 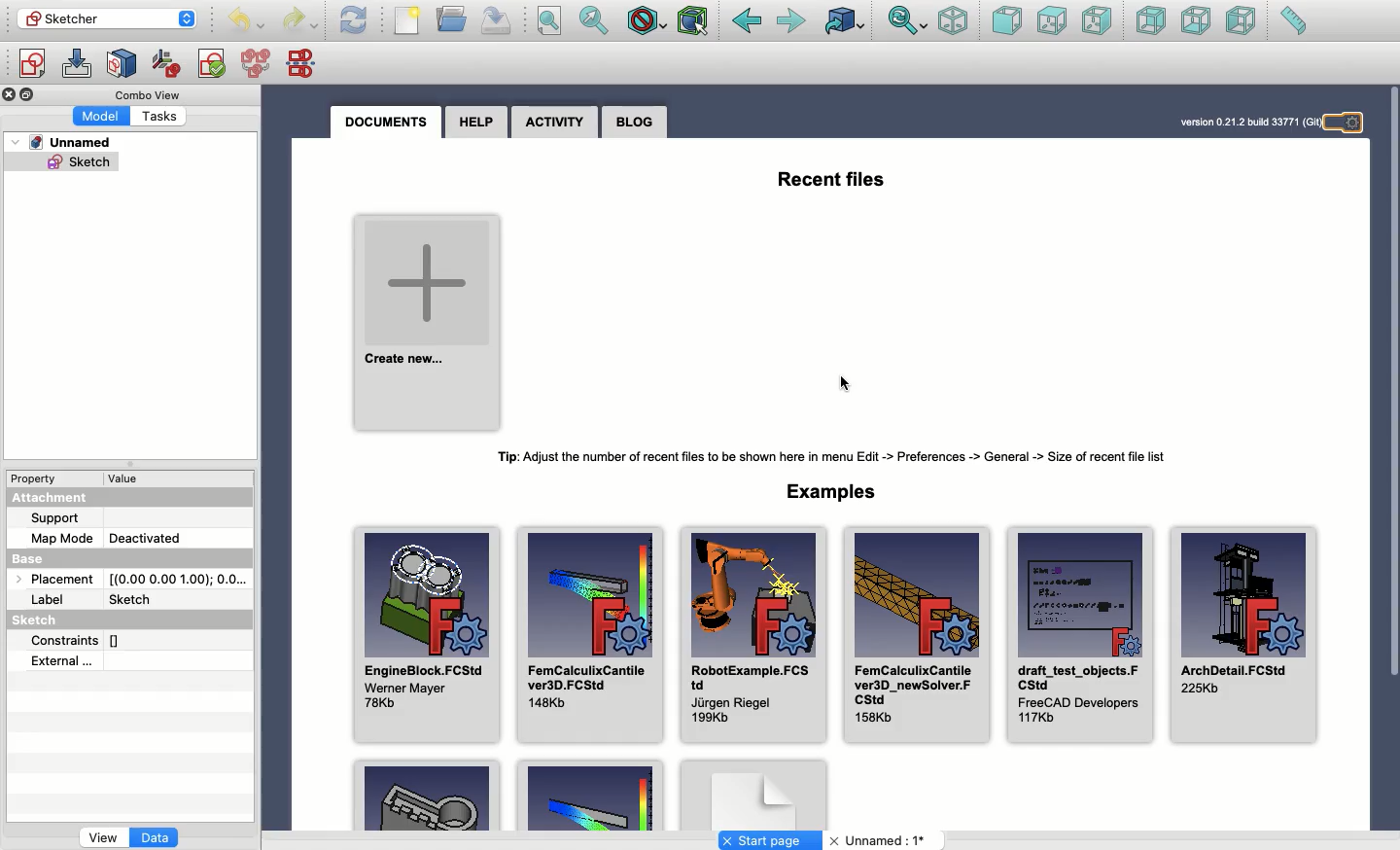 What do you see at coordinates (58, 620) in the screenshot?
I see `Sketch` at bounding box center [58, 620].